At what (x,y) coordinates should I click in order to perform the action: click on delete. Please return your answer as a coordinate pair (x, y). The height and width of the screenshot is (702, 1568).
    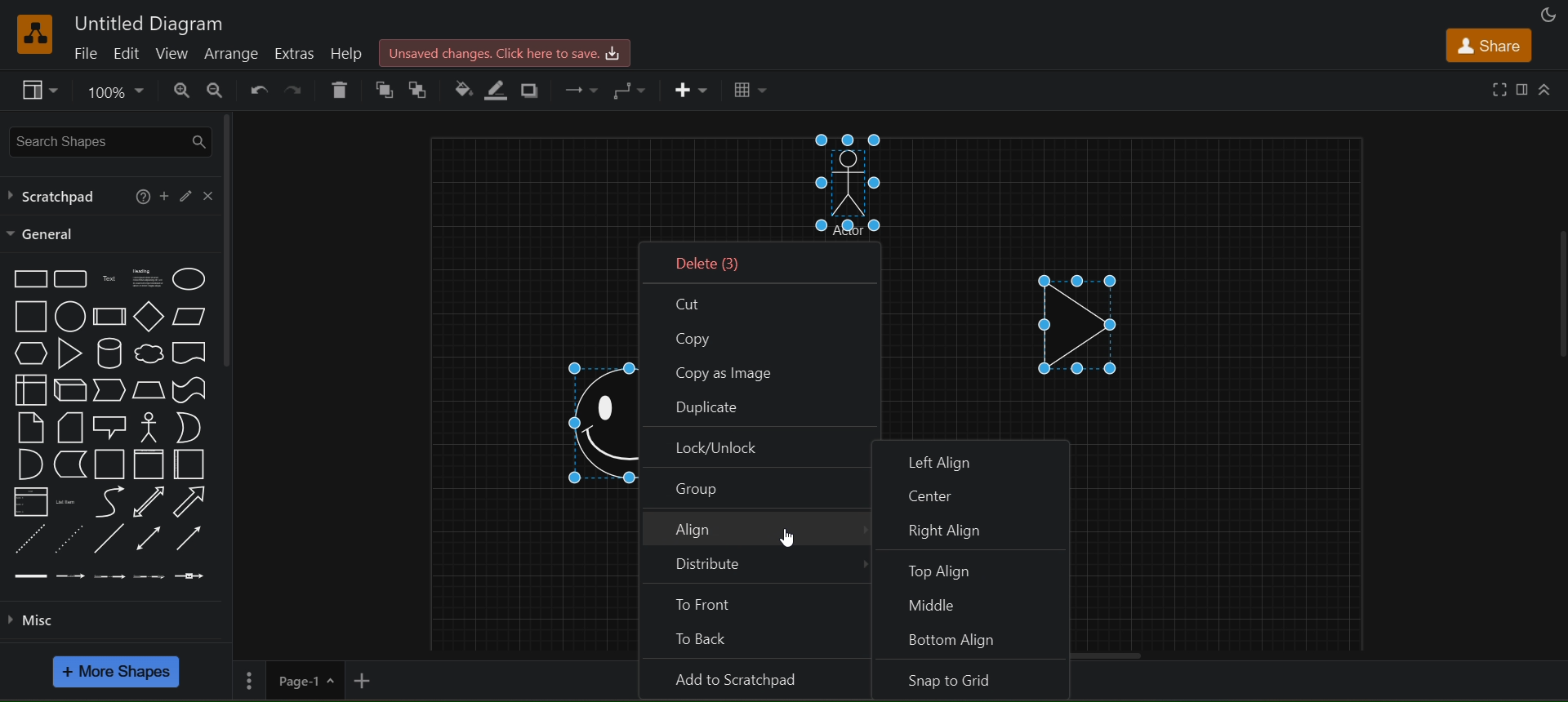
    Looking at the image, I should click on (340, 89).